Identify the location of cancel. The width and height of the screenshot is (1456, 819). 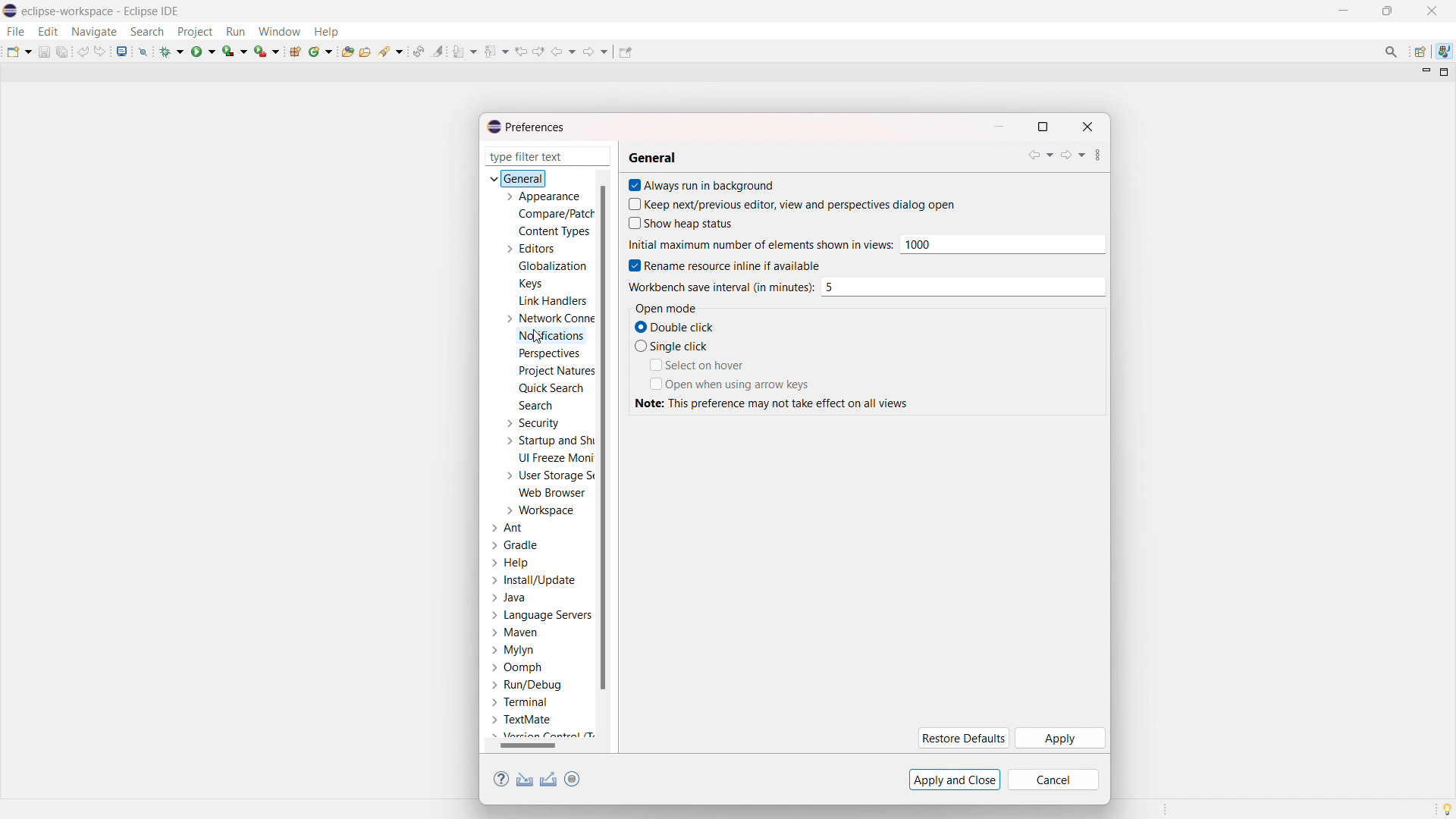
(1053, 780).